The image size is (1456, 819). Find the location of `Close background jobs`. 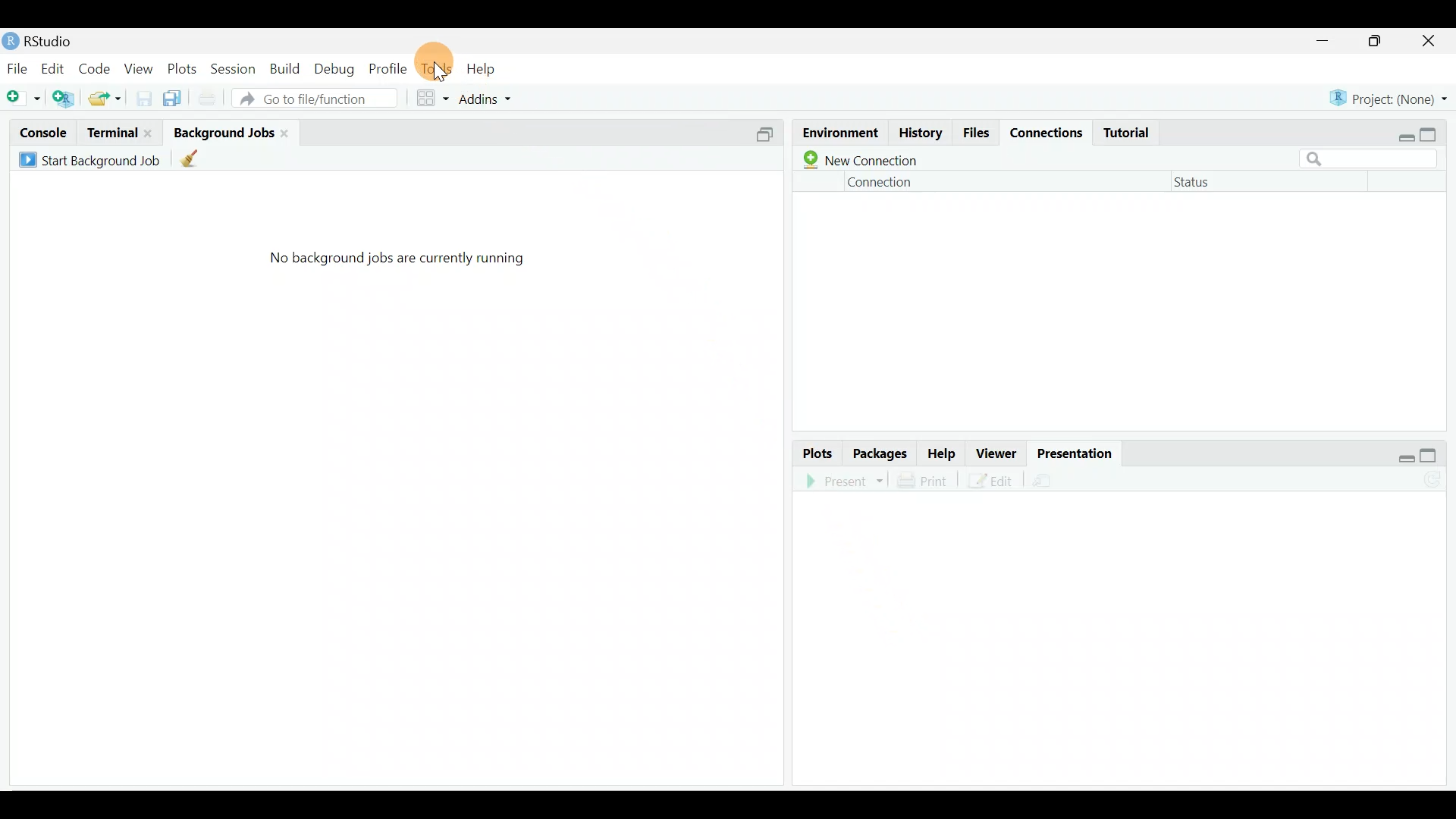

Close background jobs is located at coordinates (291, 132).